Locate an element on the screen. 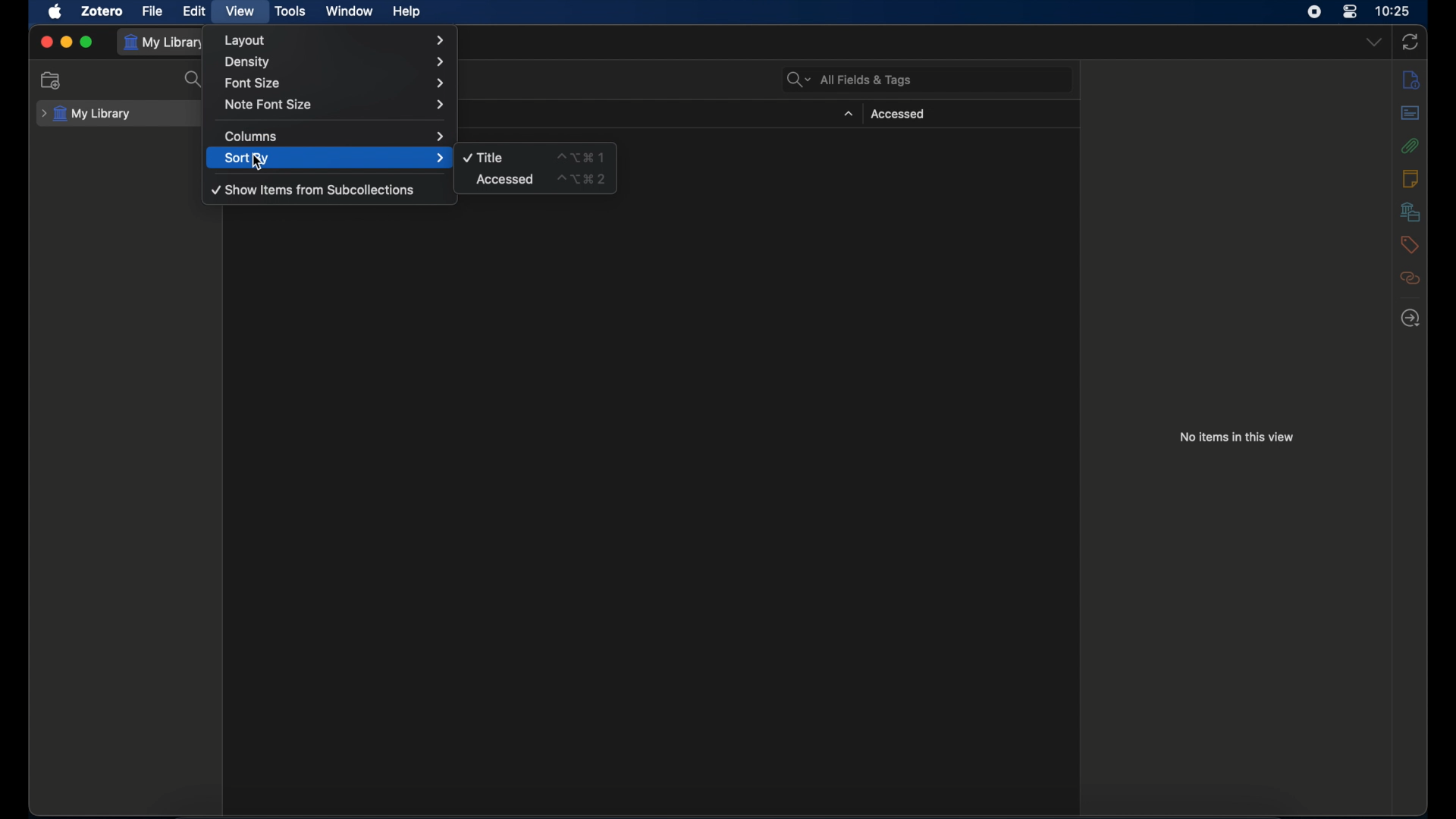 The image size is (1456, 819). tags is located at coordinates (1410, 244).